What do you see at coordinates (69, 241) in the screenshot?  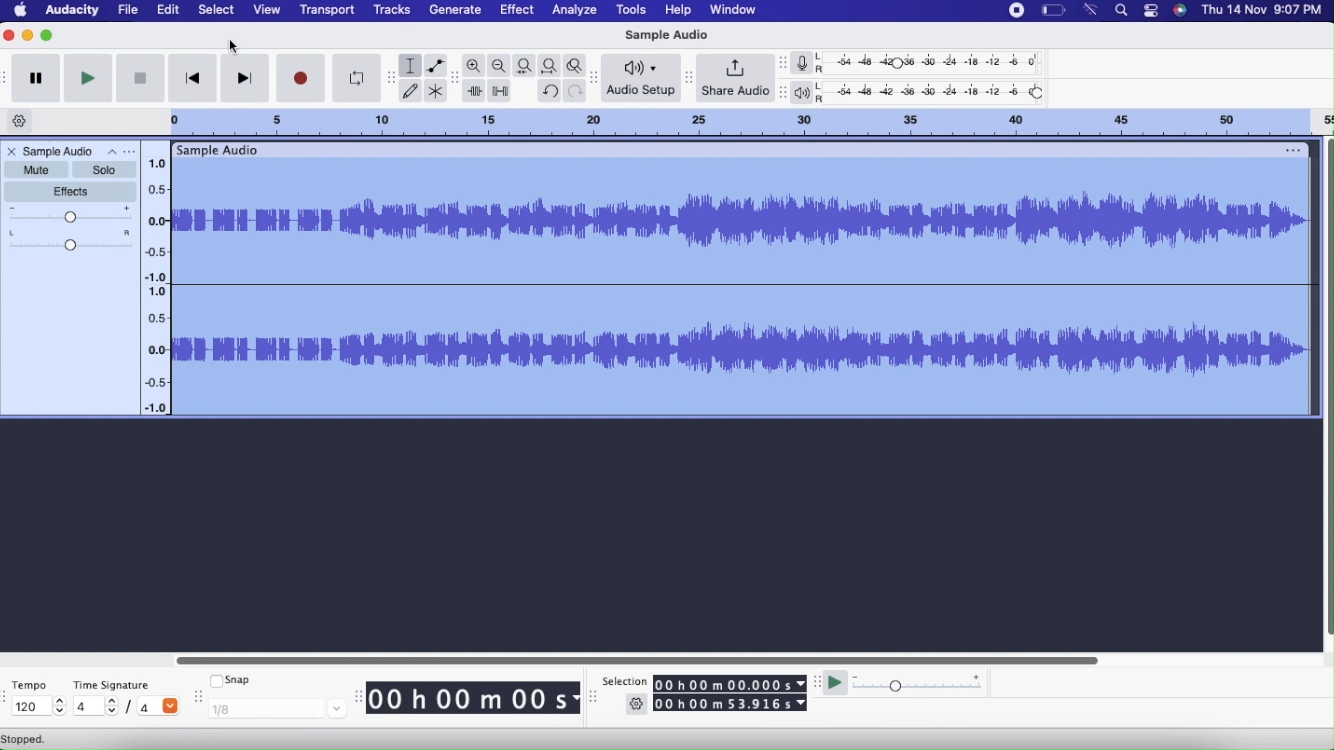 I see `Pan: Center` at bounding box center [69, 241].